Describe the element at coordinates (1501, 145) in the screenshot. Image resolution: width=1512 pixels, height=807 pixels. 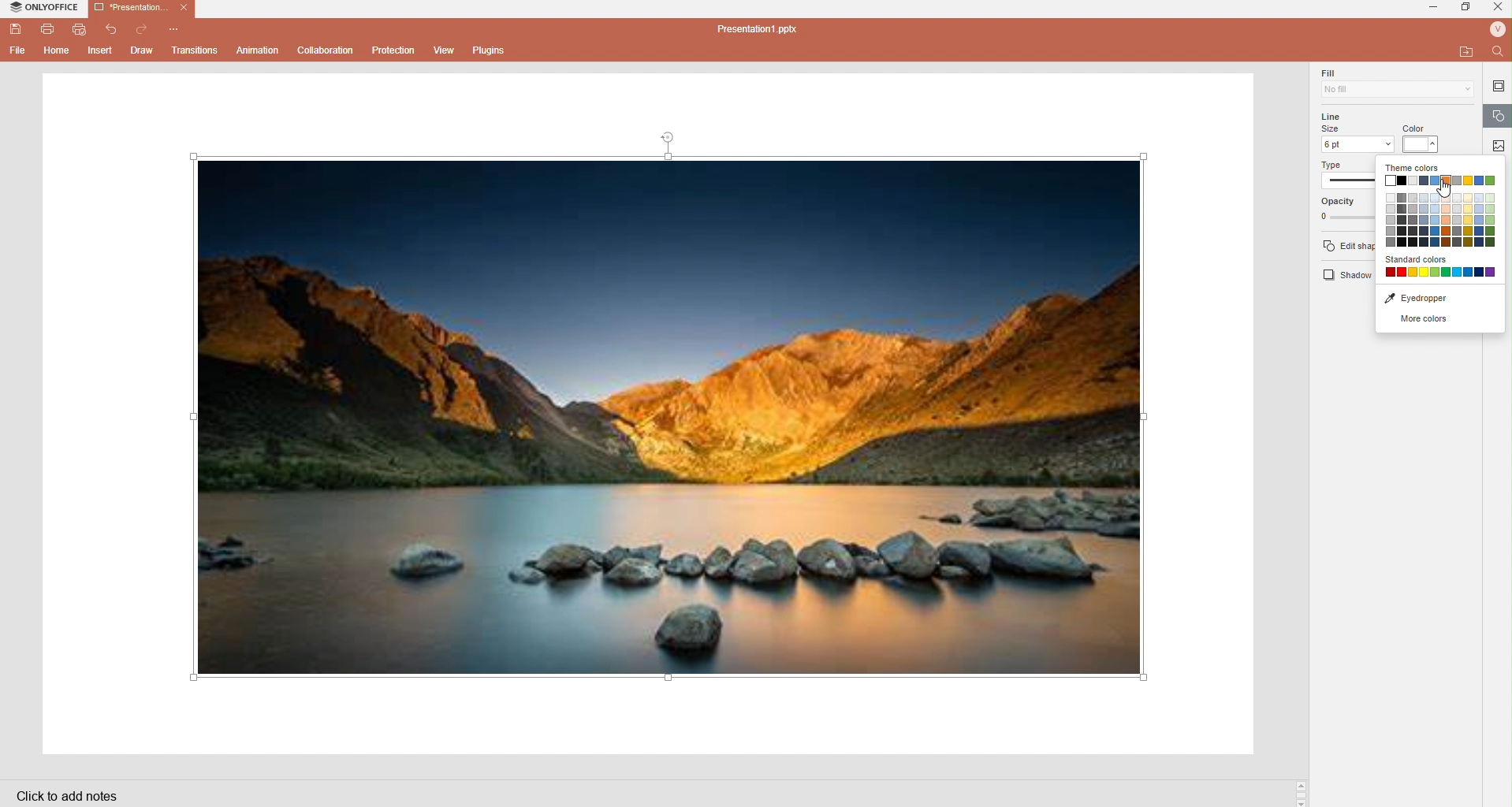
I see `Picture settings` at that location.